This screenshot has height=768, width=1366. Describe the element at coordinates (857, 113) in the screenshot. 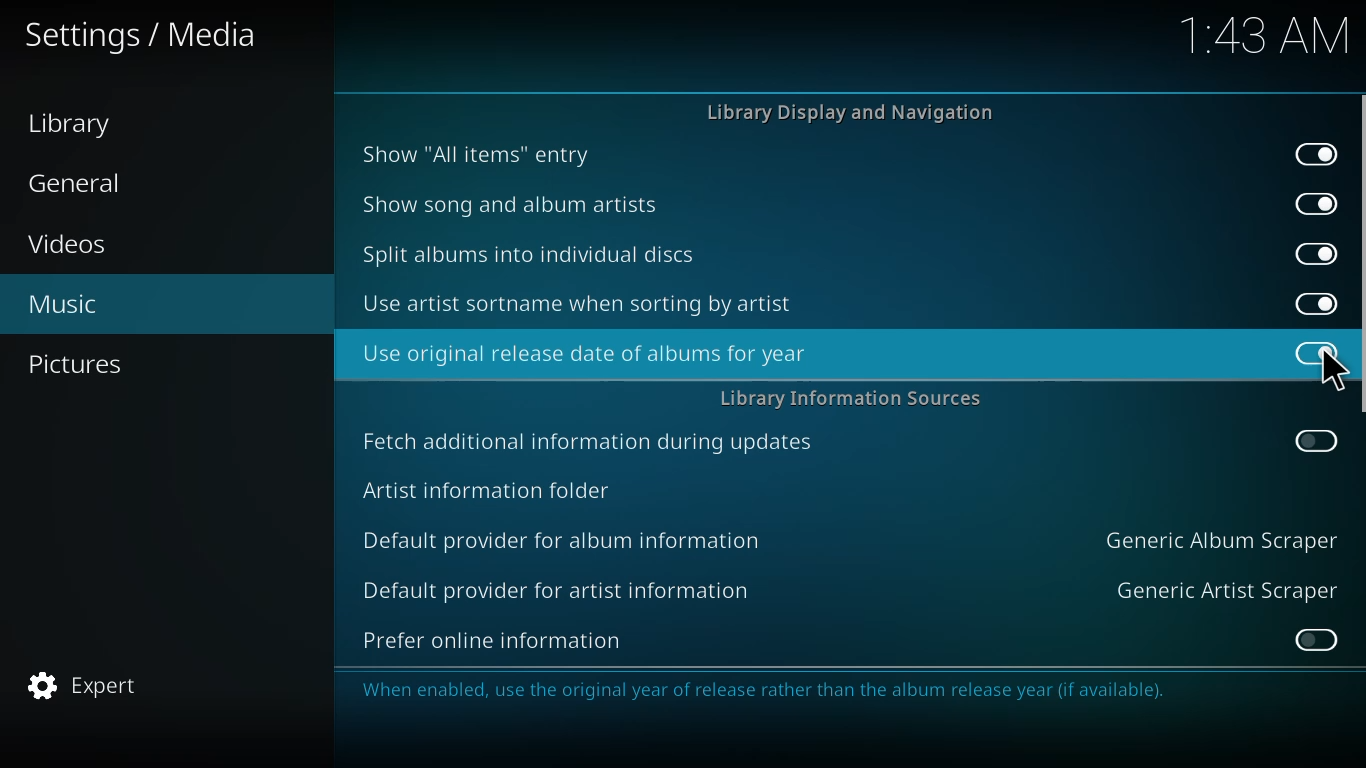

I see `library display ` at that location.